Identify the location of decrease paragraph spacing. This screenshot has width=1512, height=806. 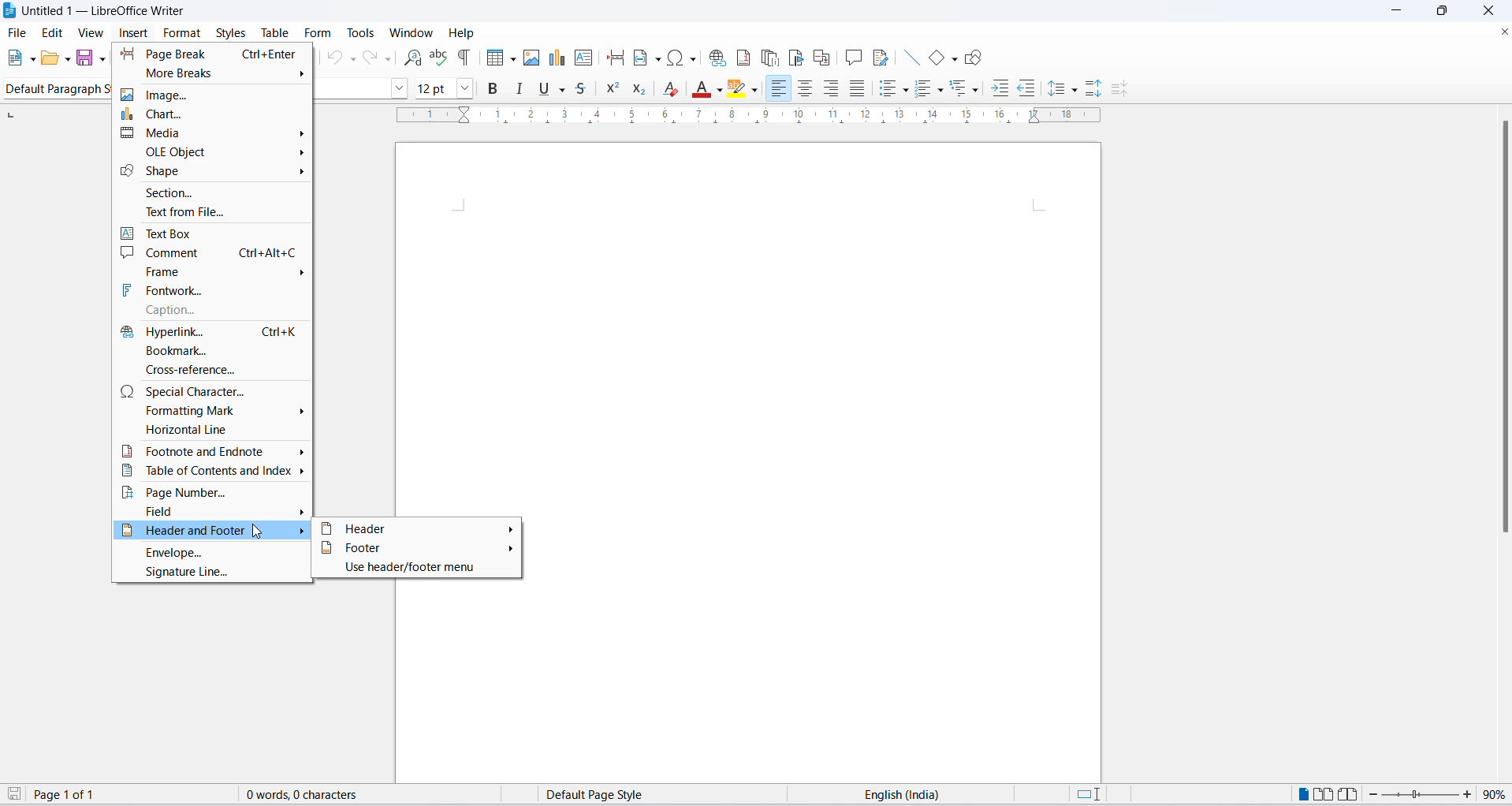
(1121, 91).